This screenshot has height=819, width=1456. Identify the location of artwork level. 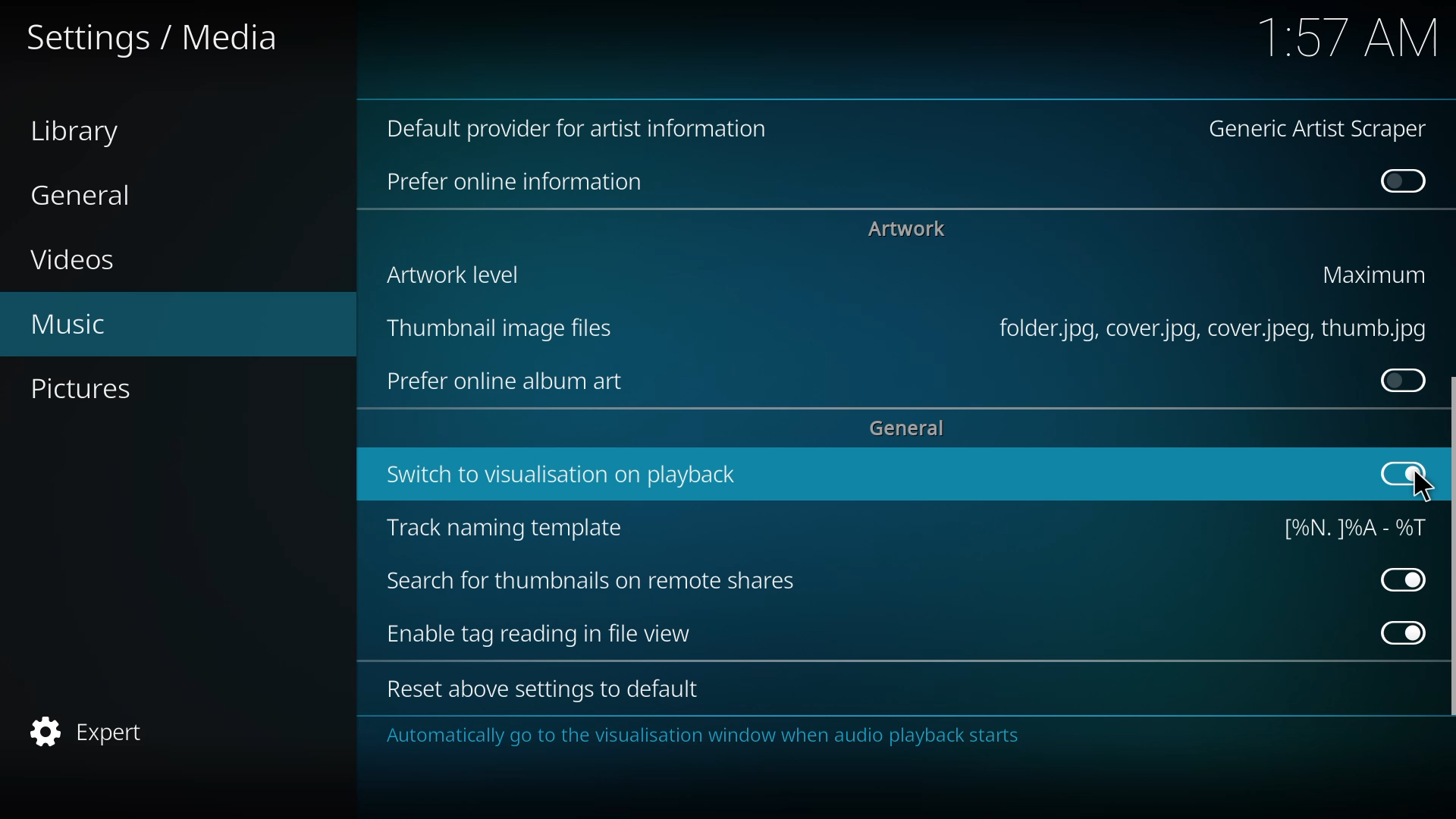
(447, 273).